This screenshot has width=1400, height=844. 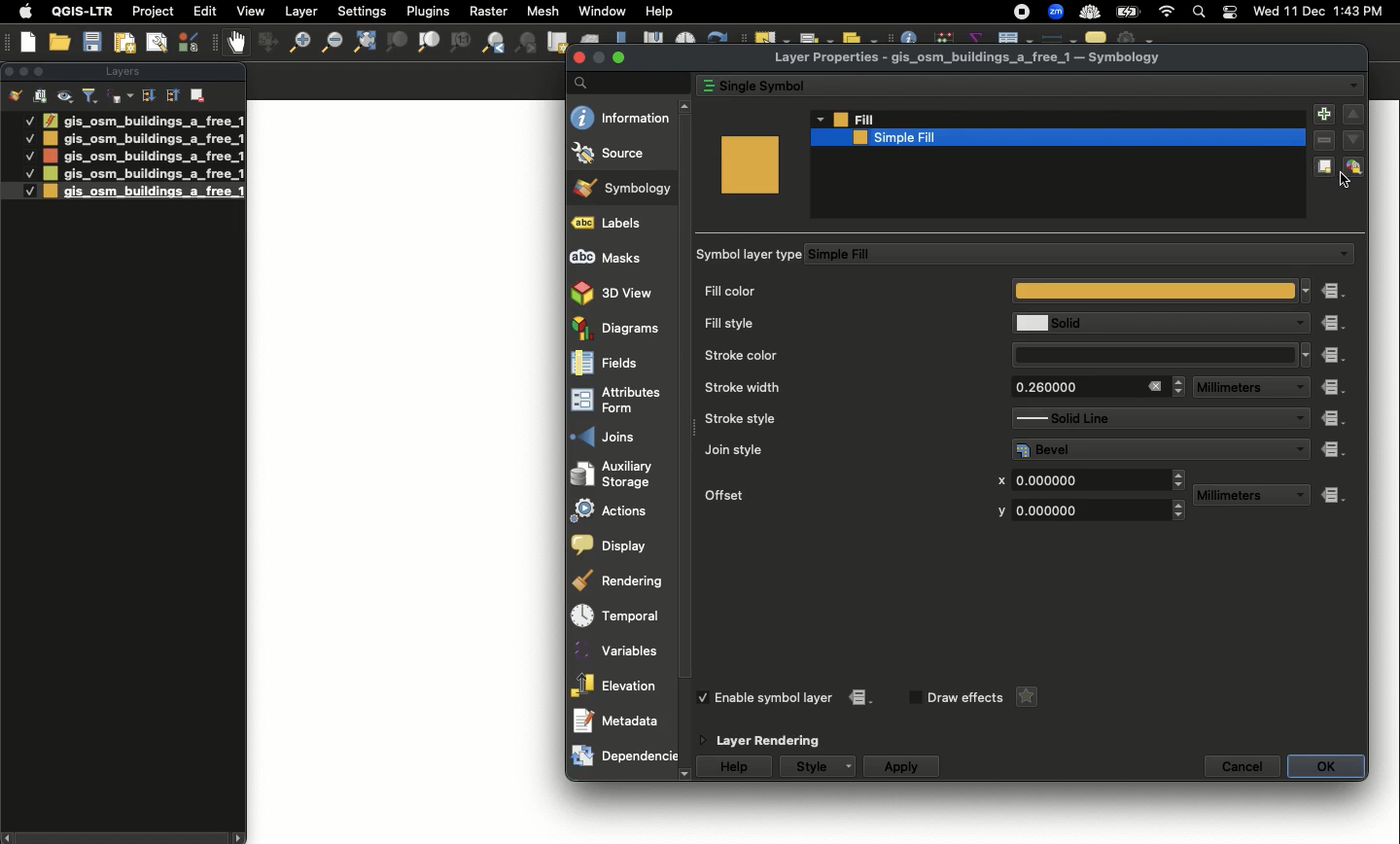 What do you see at coordinates (1334, 355) in the screenshot?
I see `` at bounding box center [1334, 355].